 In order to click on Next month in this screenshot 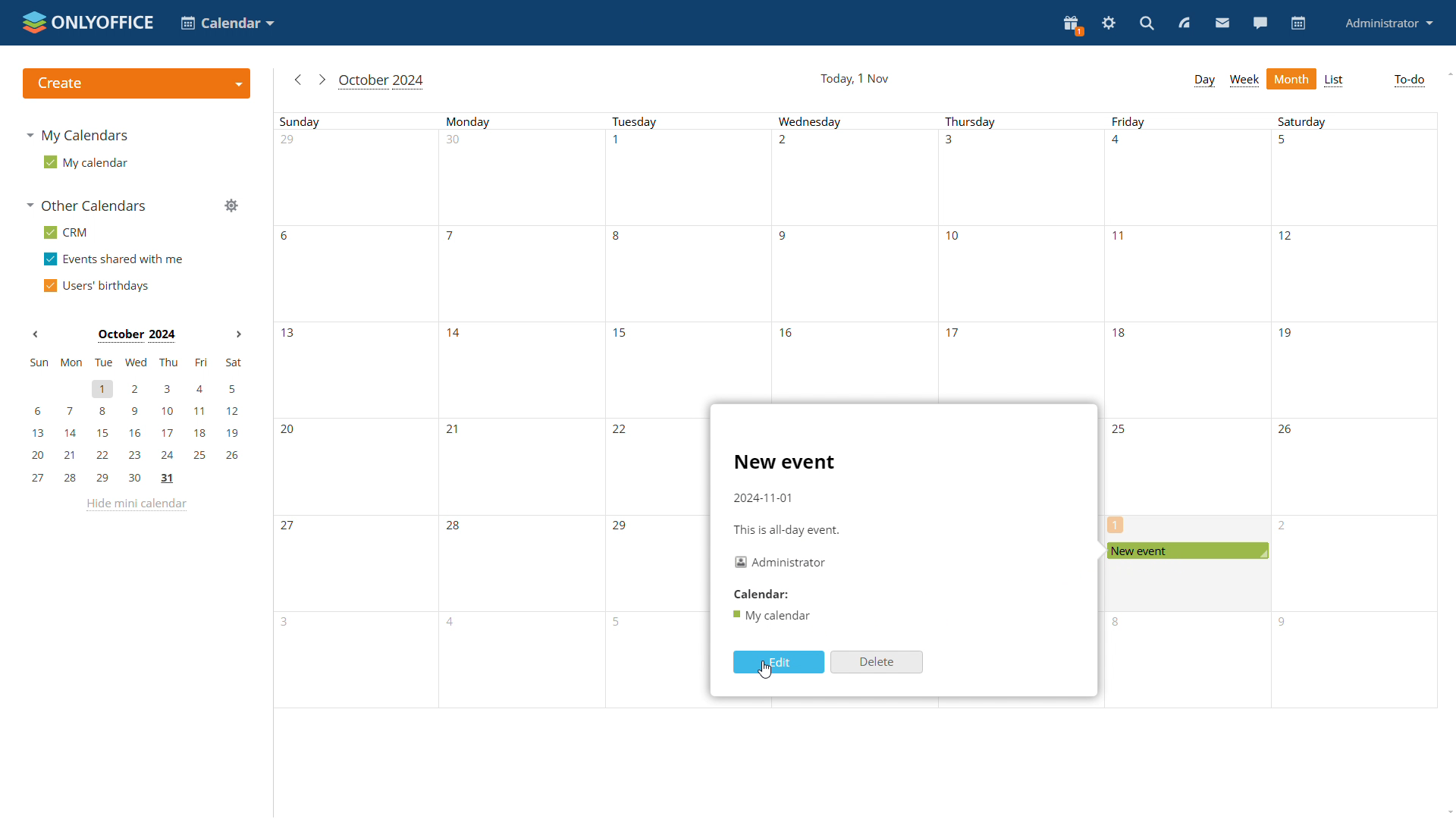, I will do `click(236, 335)`.